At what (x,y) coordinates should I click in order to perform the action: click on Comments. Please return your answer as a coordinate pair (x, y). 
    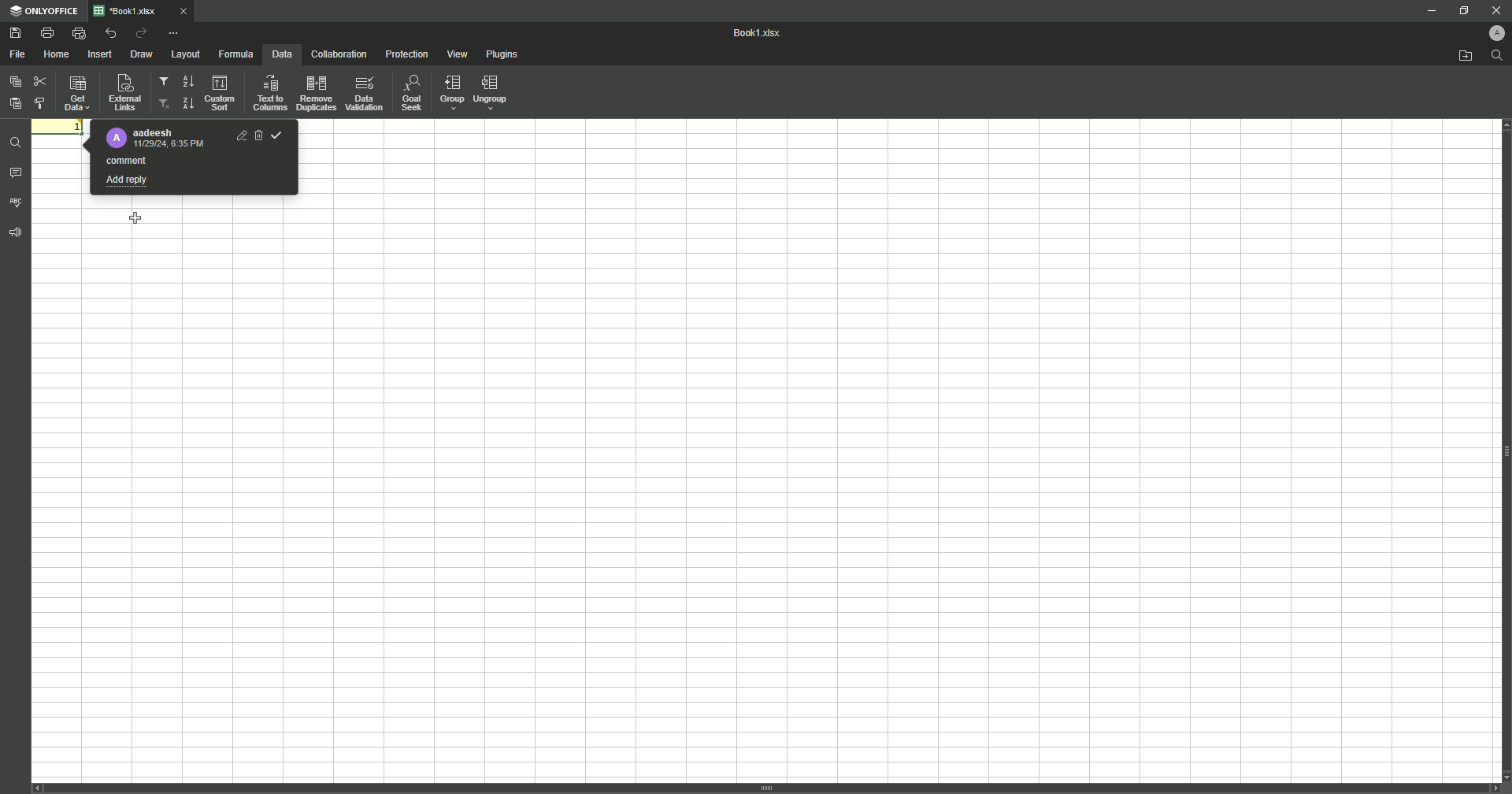
    Looking at the image, I should click on (17, 175).